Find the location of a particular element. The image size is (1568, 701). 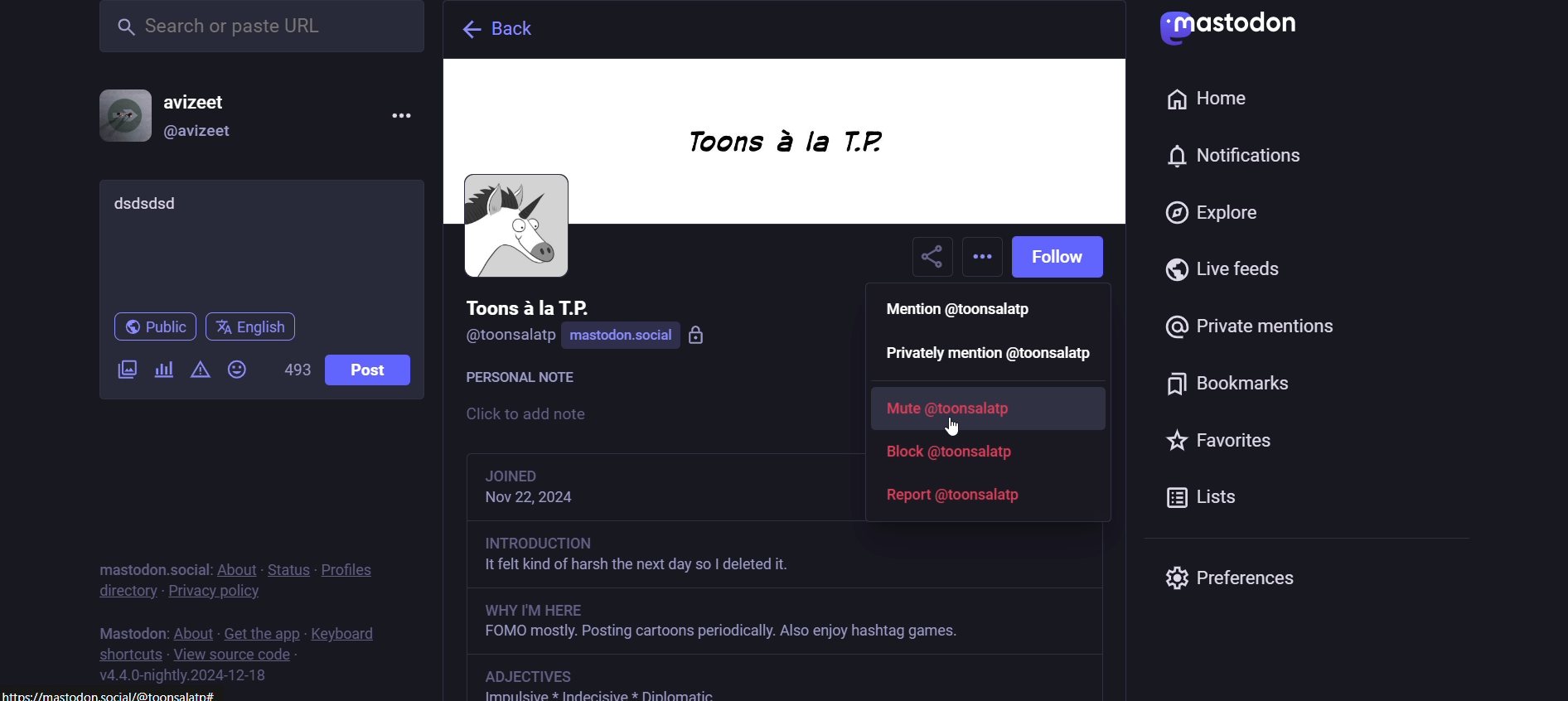

language is located at coordinates (252, 328).